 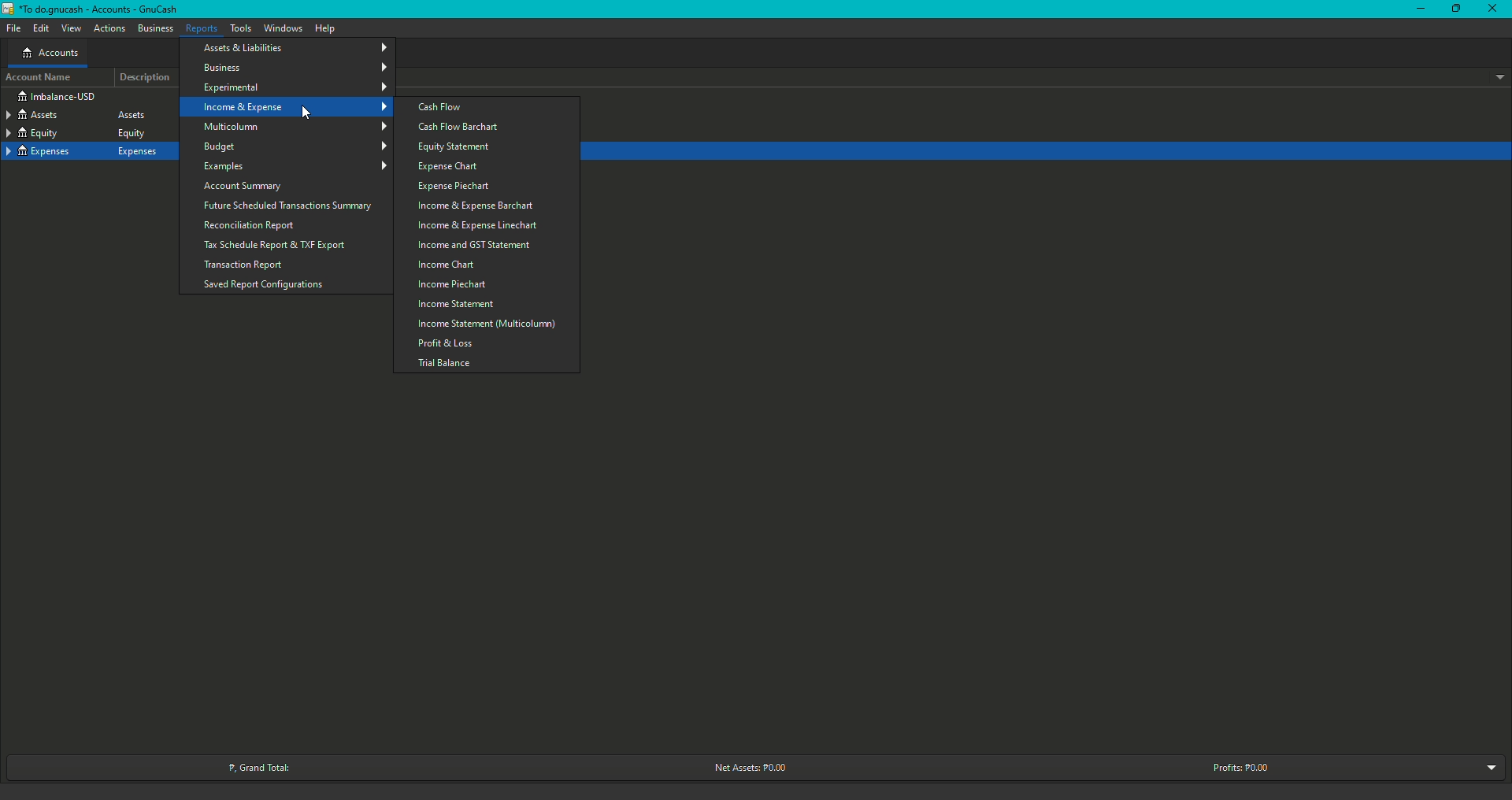 What do you see at coordinates (84, 114) in the screenshot?
I see `Assets` at bounding box center [84, 114].